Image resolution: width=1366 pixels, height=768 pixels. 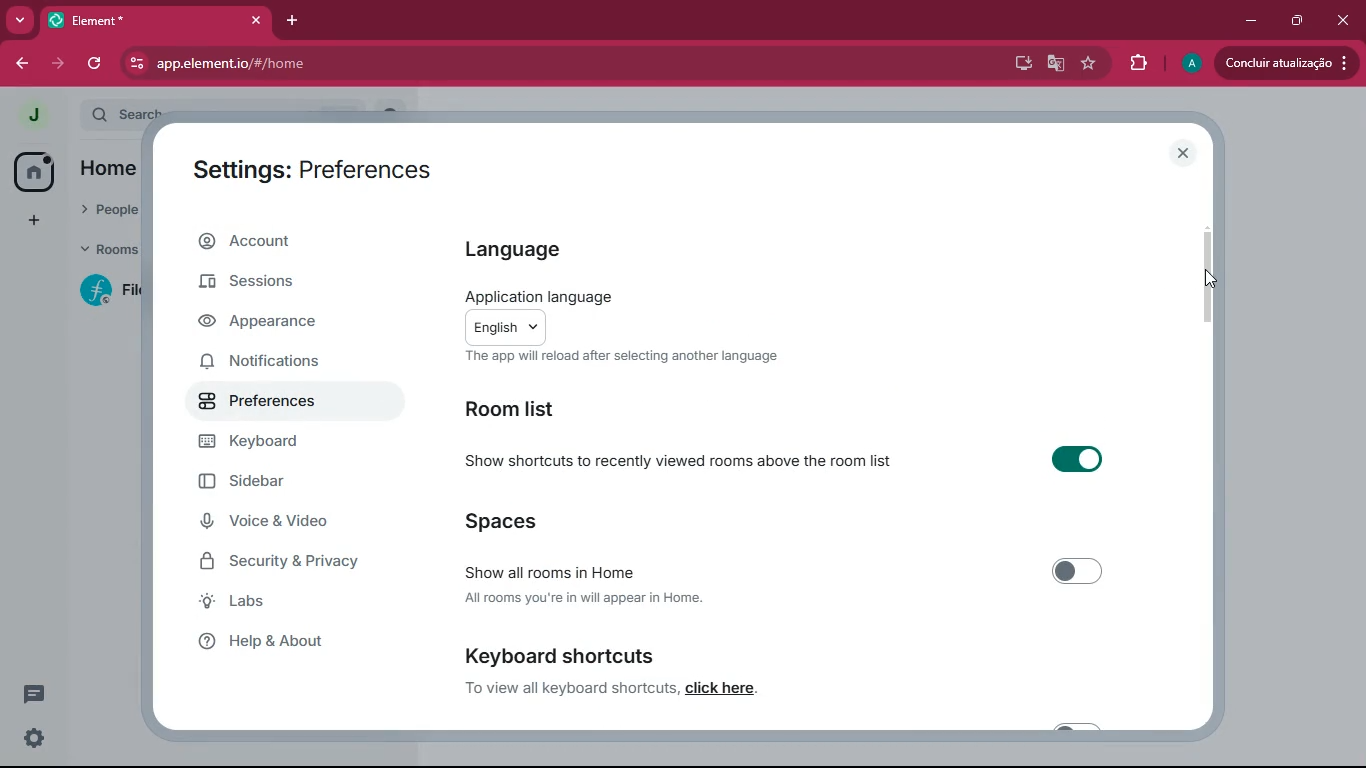 What do you see at coordinates (510, 522) in the screenshot?
I see `spaces` at bounding box center [510, 522].